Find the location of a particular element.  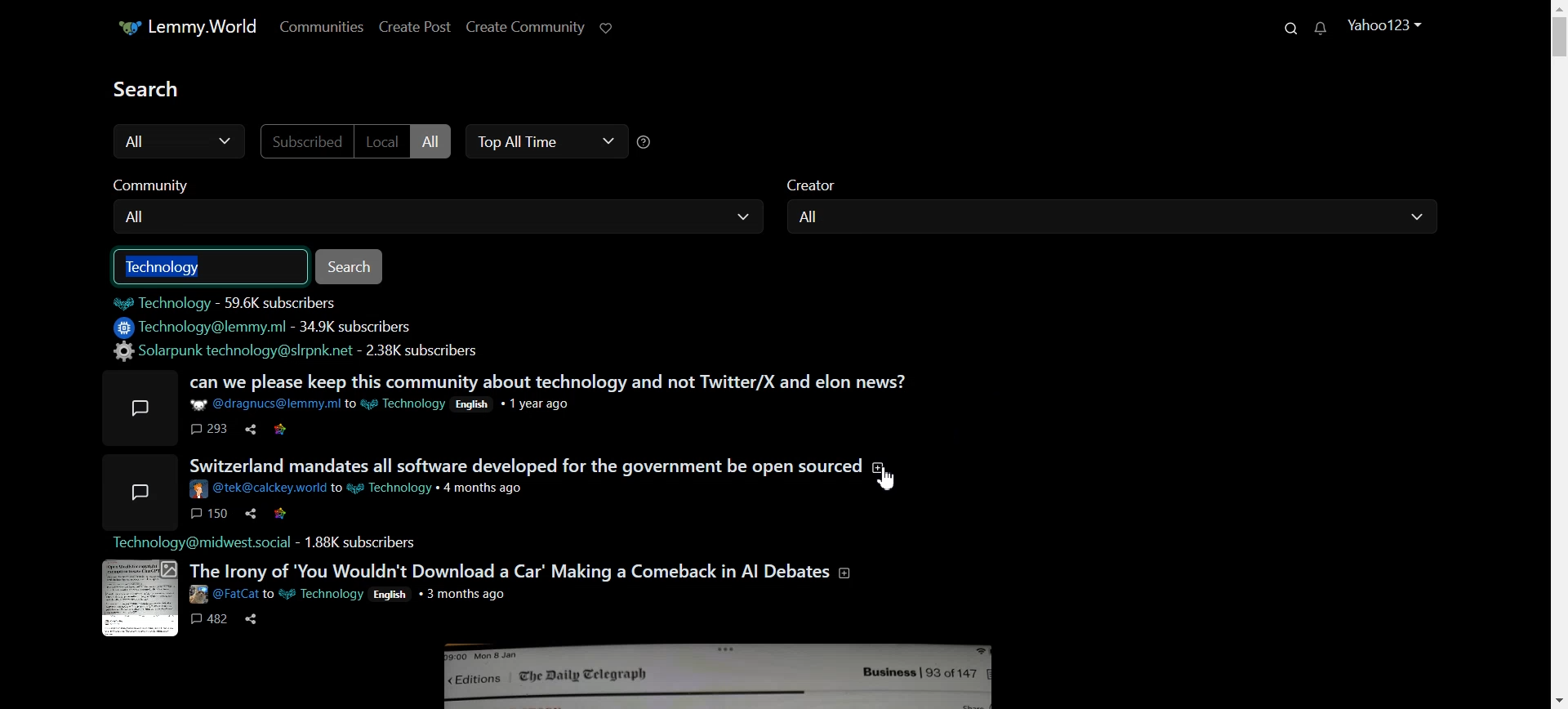

Lemmy.World is located at coordinates (196, 27).